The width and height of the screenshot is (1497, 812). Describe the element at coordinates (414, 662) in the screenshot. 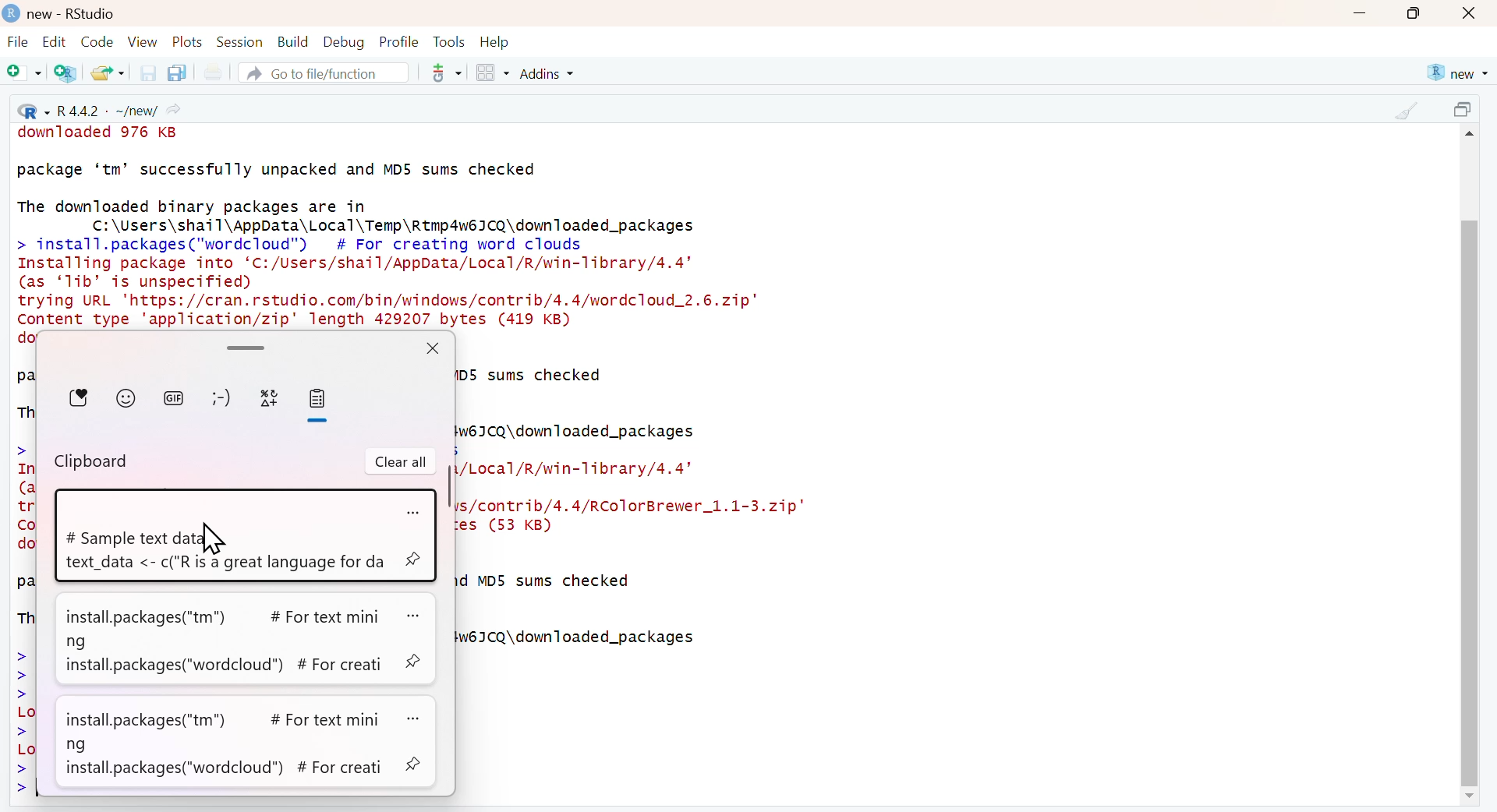

I see `pin` at that location.